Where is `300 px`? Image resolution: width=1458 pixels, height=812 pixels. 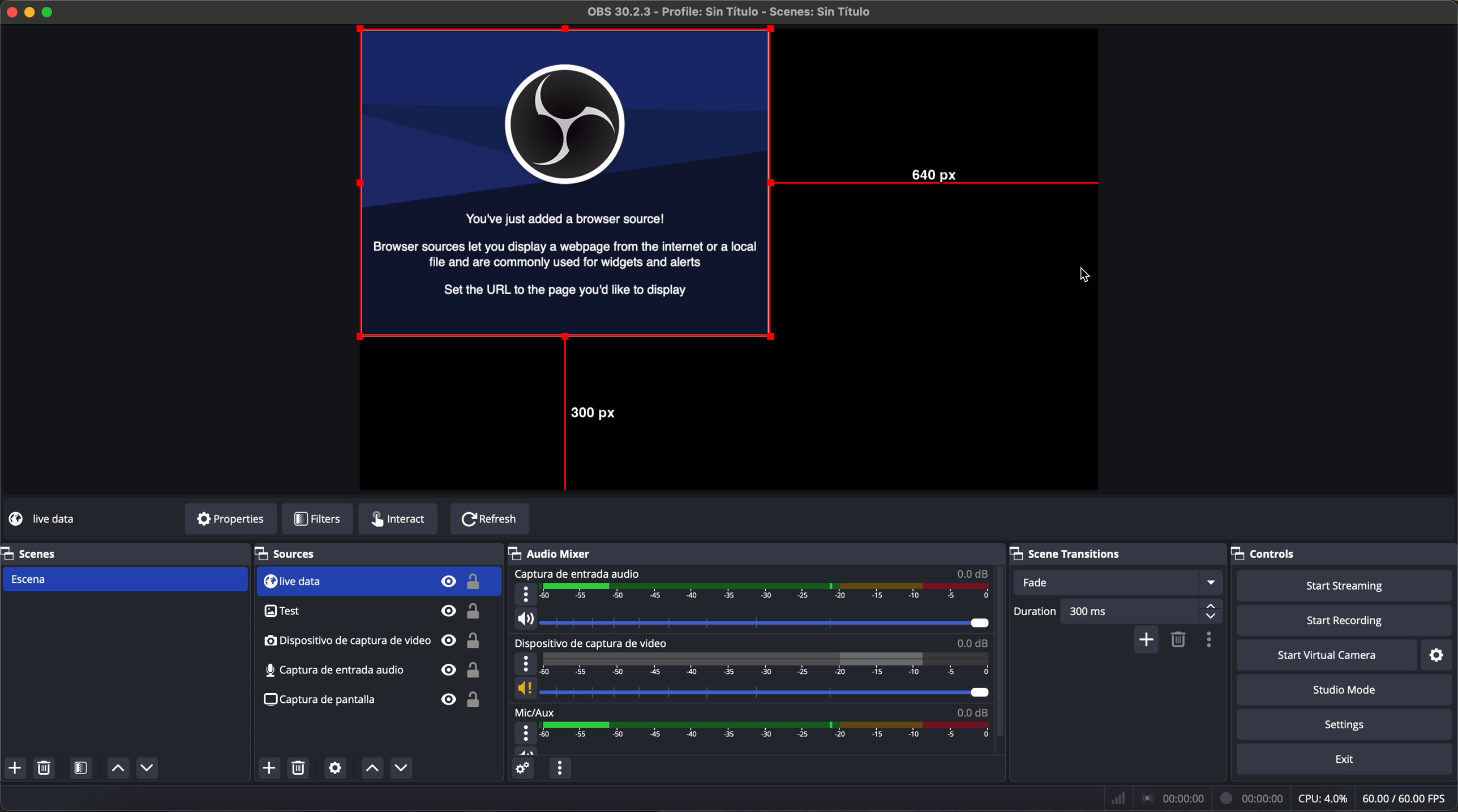 300 px is located at coordinates (580, 415).